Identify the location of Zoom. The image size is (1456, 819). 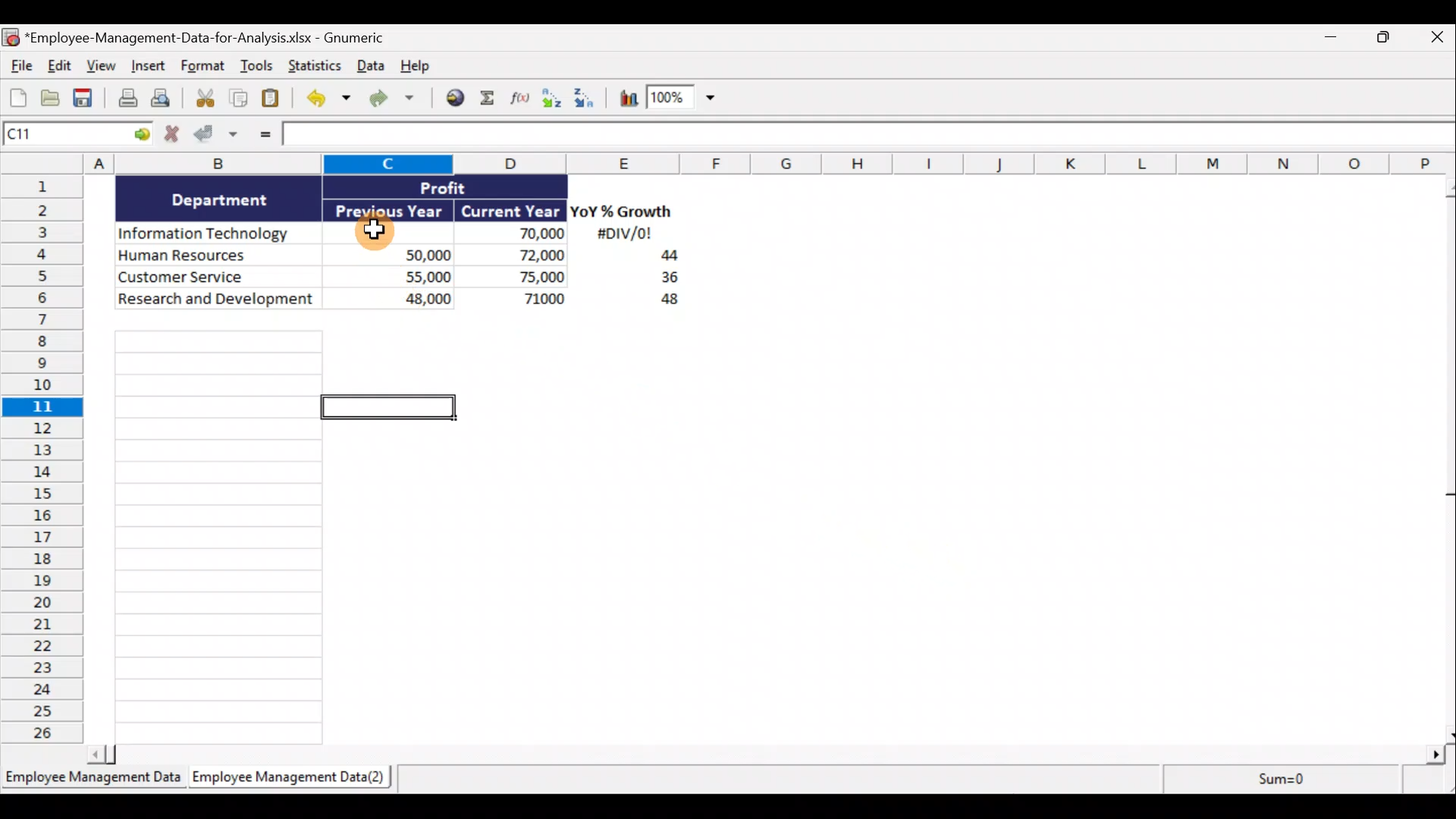
(685, 101).